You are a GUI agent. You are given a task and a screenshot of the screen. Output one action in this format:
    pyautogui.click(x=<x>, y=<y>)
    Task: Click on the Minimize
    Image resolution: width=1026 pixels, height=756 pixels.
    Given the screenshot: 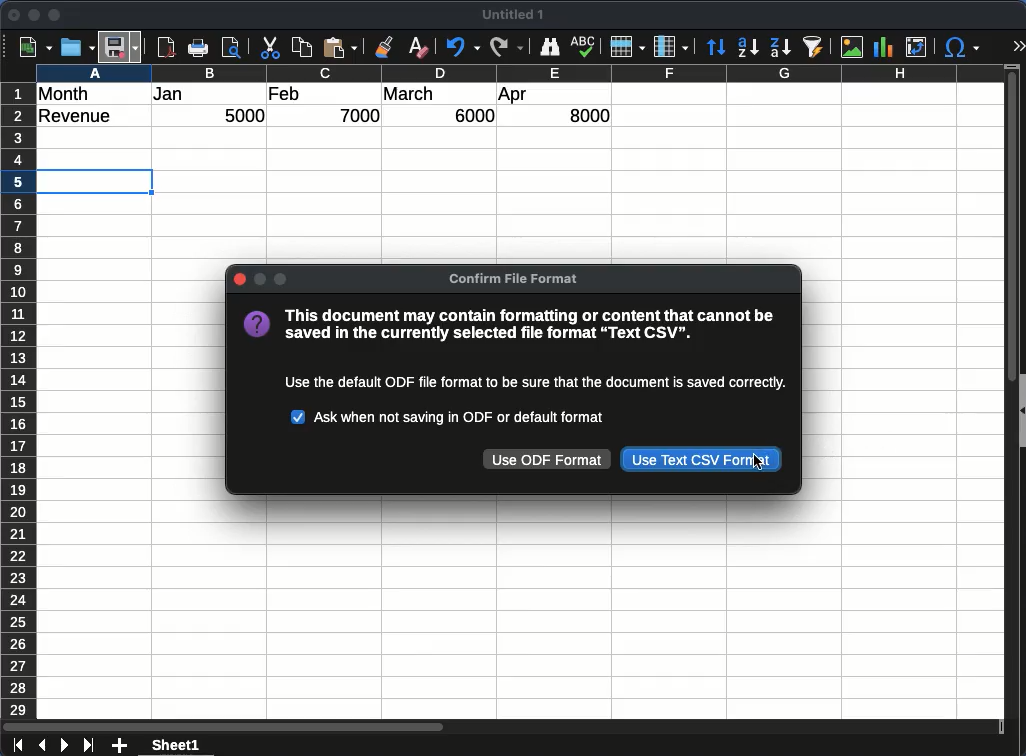 What is the action you would take?
    pyautogui.click(x=258, y=279)
    